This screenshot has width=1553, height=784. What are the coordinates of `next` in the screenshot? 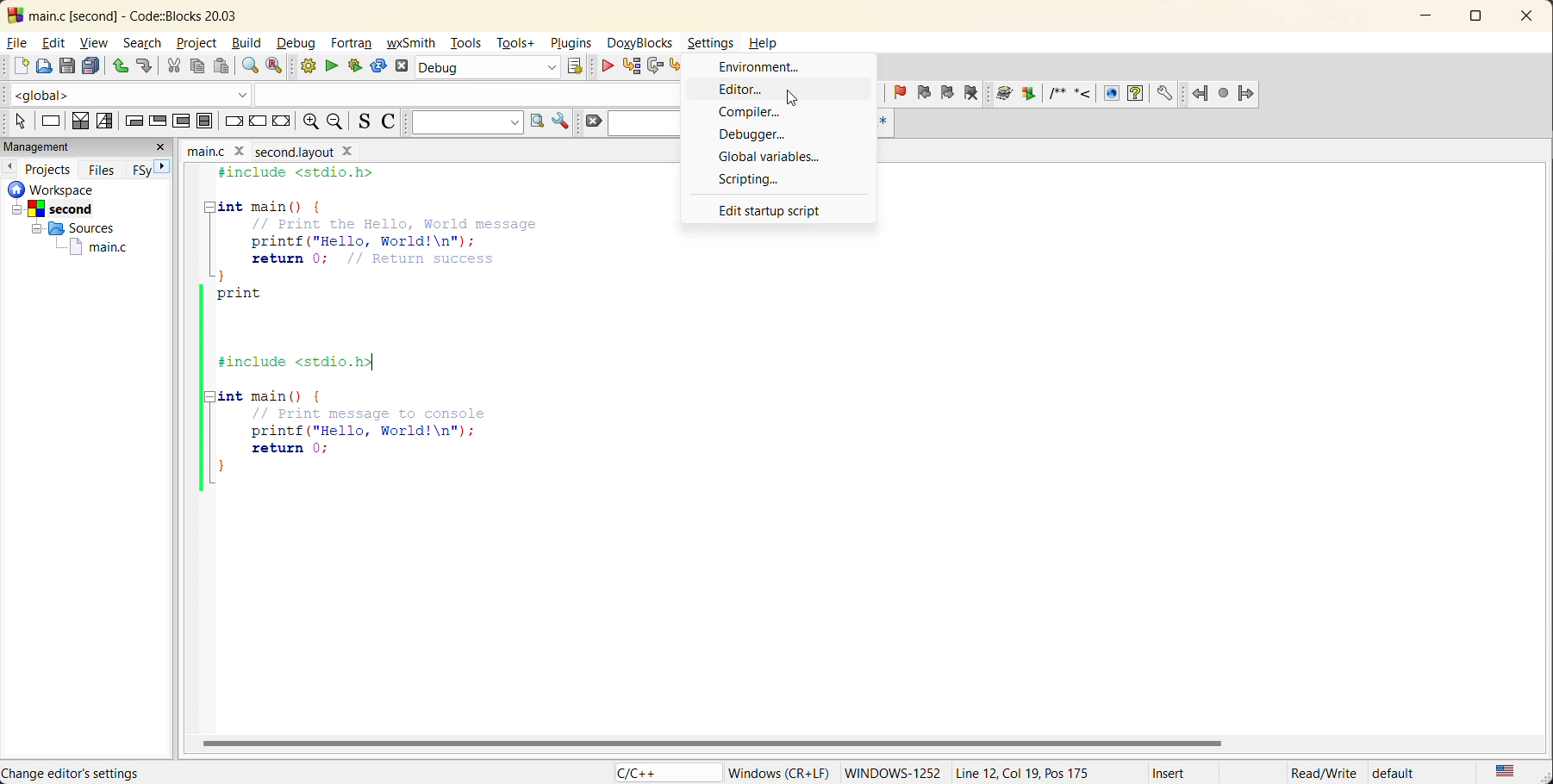 It's located at (164, 167).